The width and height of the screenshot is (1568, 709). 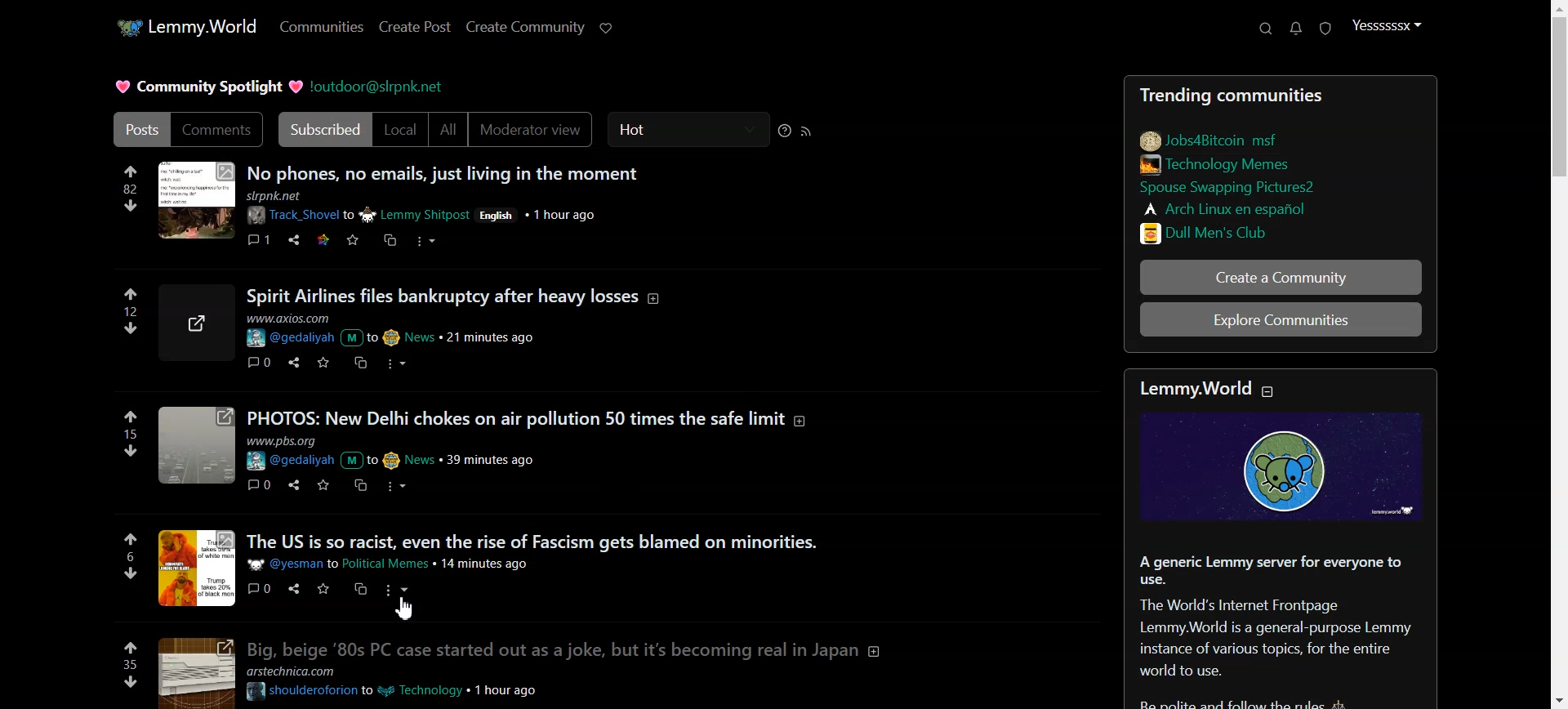 What do you see at coordinates (1282, 322) in the screenshot?
I see `Explore Communities` at bounding box center [1282, 322].